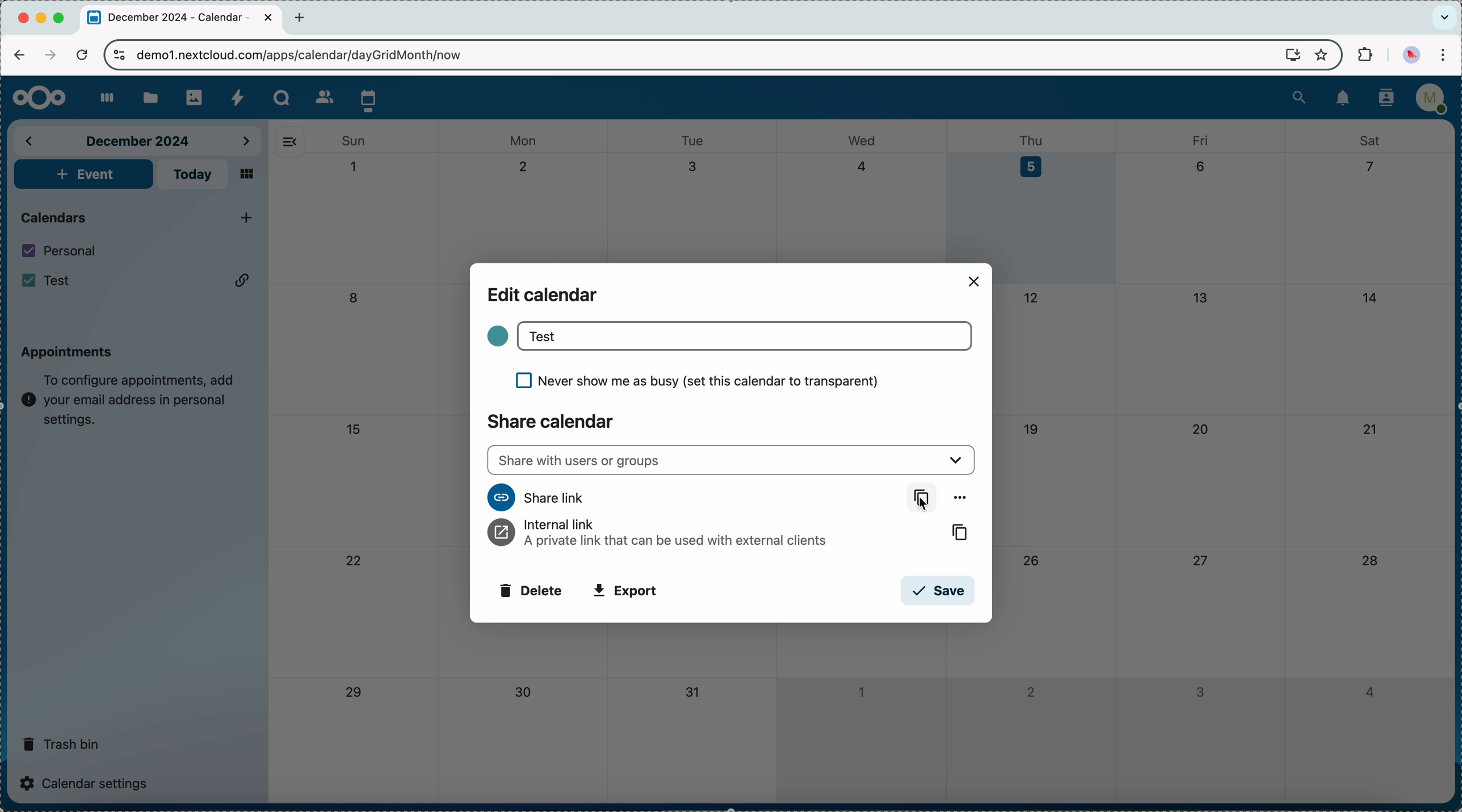  Describe the element at coordinates (626, 592) in the screenshot. I see `export` at that location.